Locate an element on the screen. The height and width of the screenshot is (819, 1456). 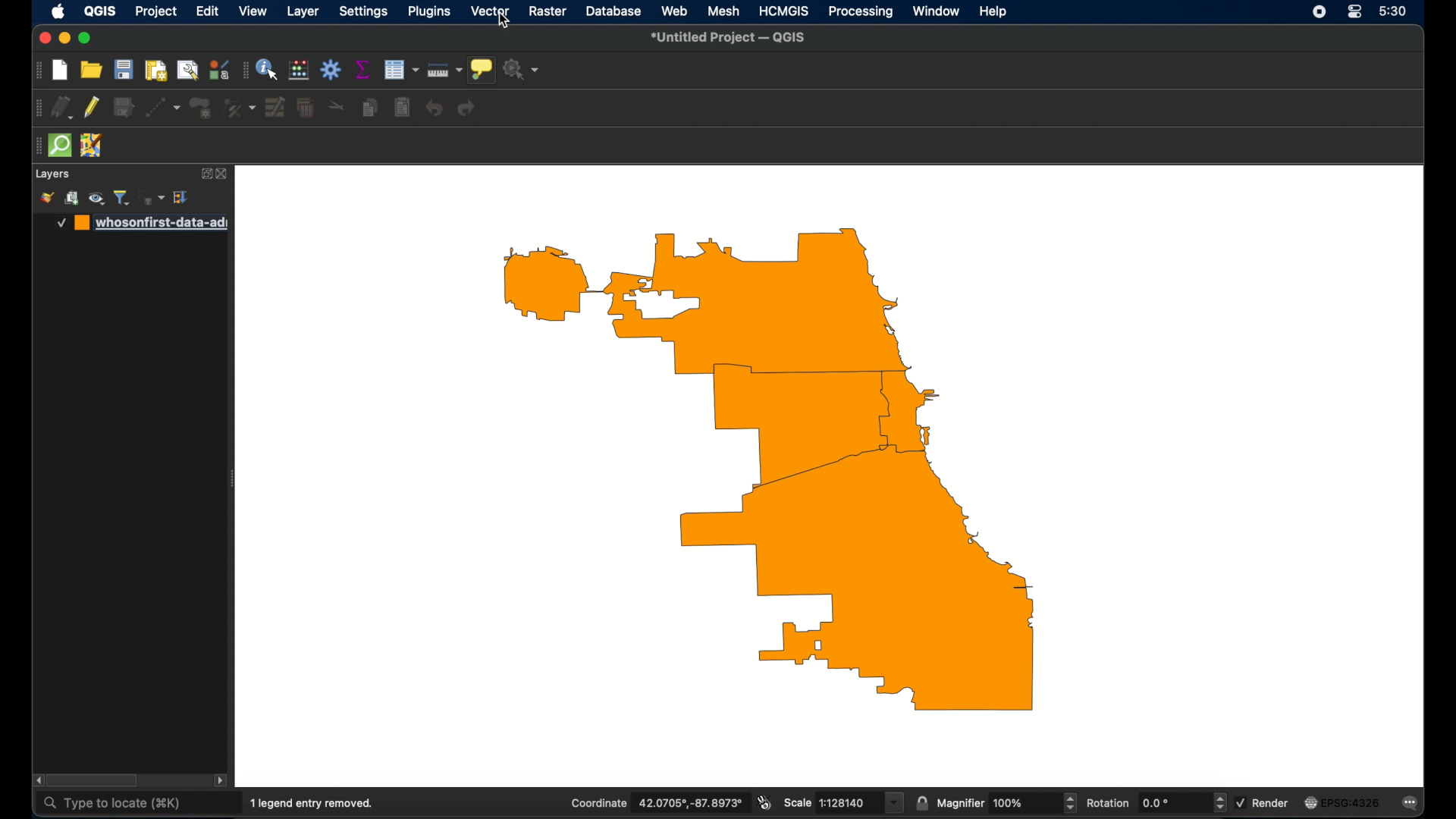
current crs is located at coordinates (1341, 803).